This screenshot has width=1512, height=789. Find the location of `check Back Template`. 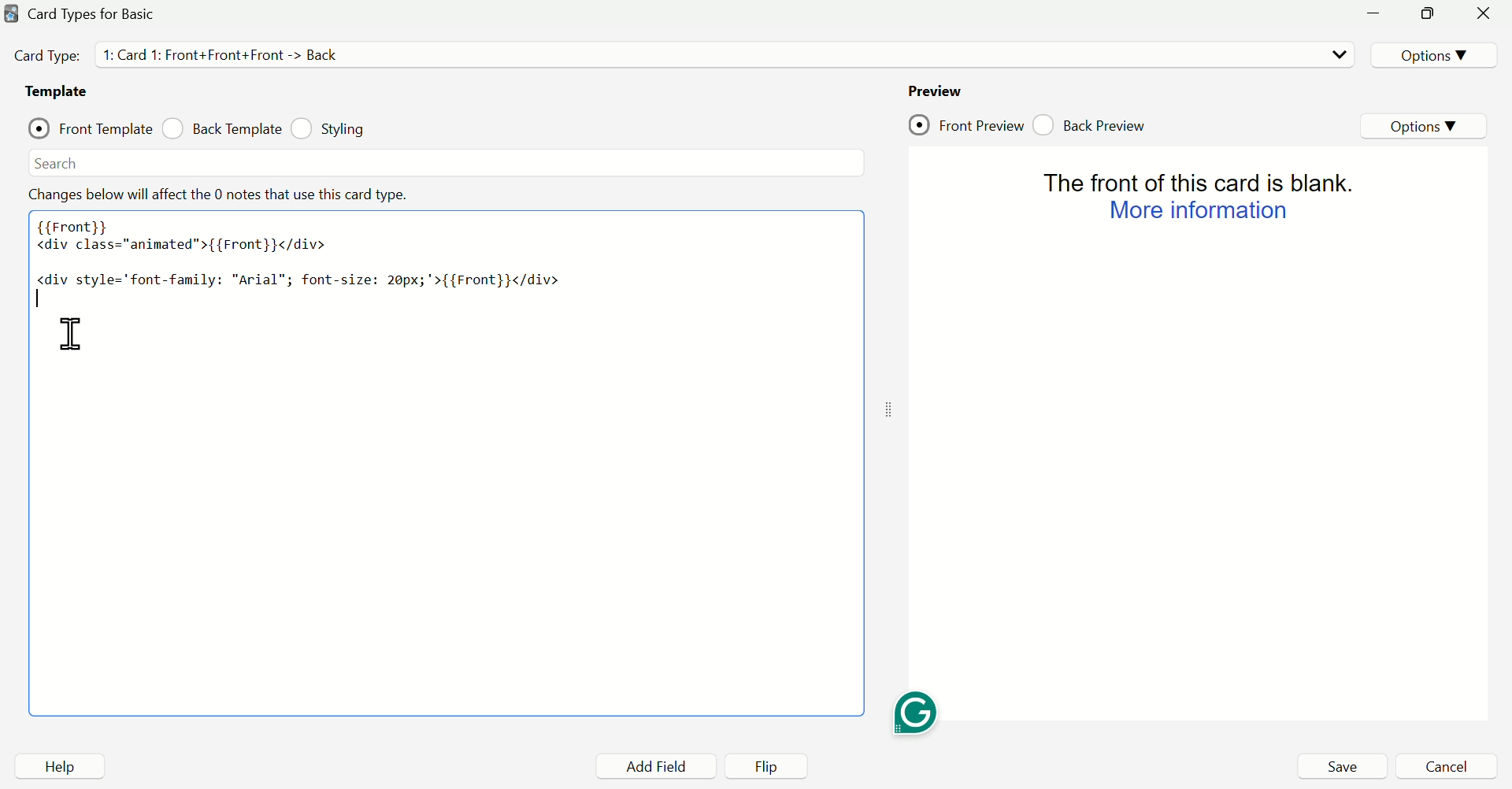

check Back Template is located at coordinates (223, 129).